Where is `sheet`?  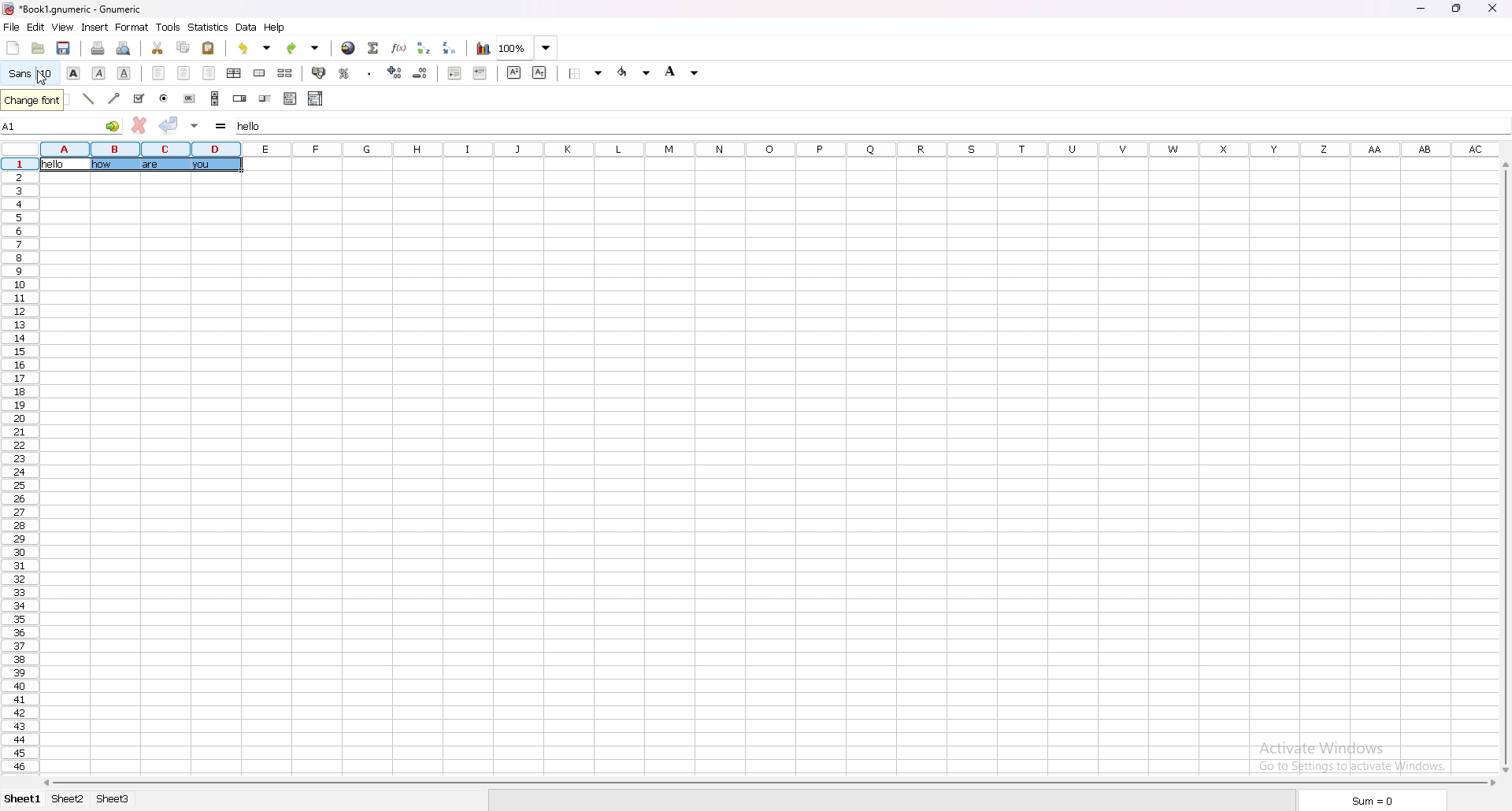 sheet is located at coordinates (115, 799).